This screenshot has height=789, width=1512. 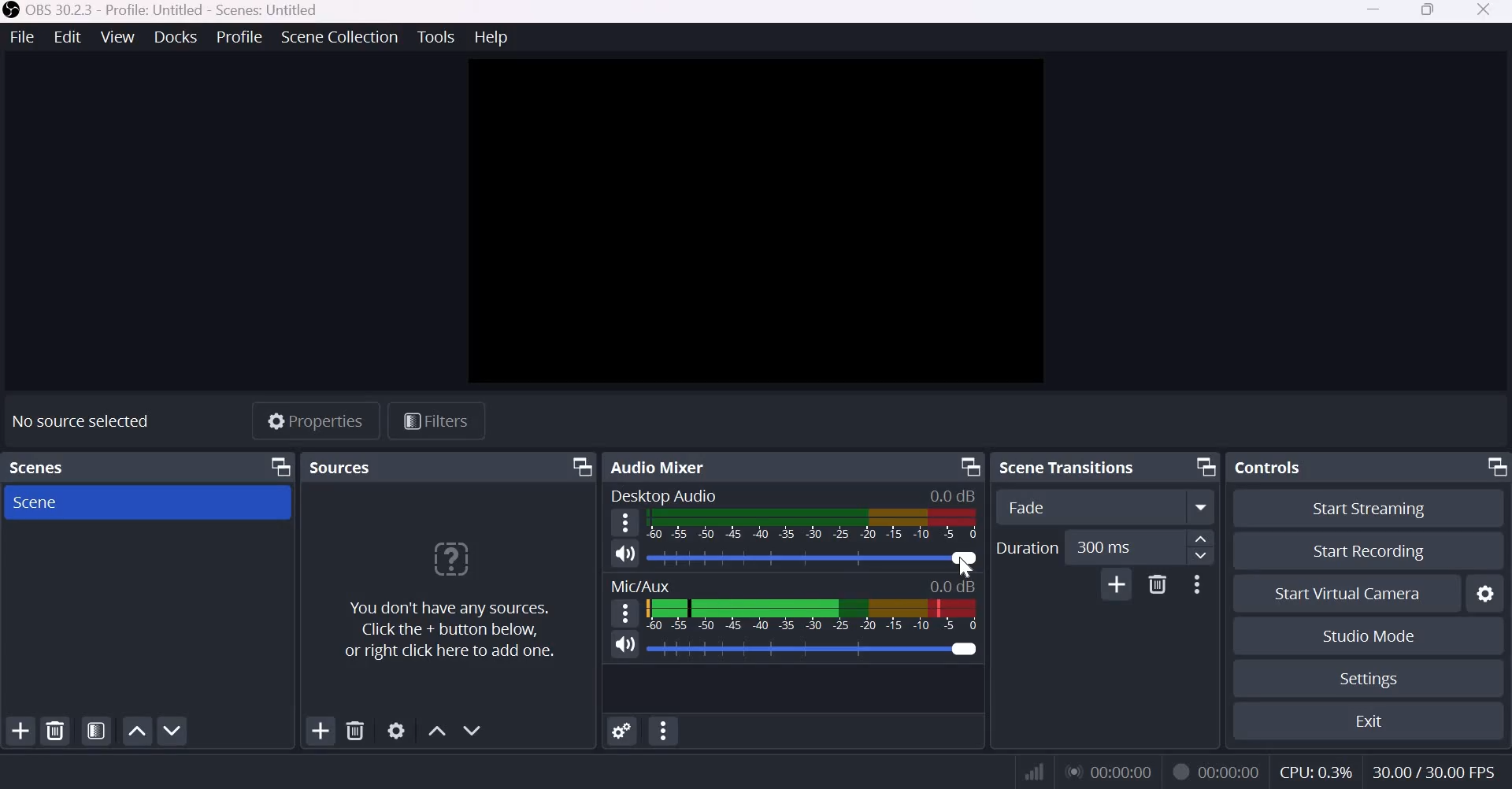 I want to click on Audio Mixer Menu, so click(x=663, y=732).